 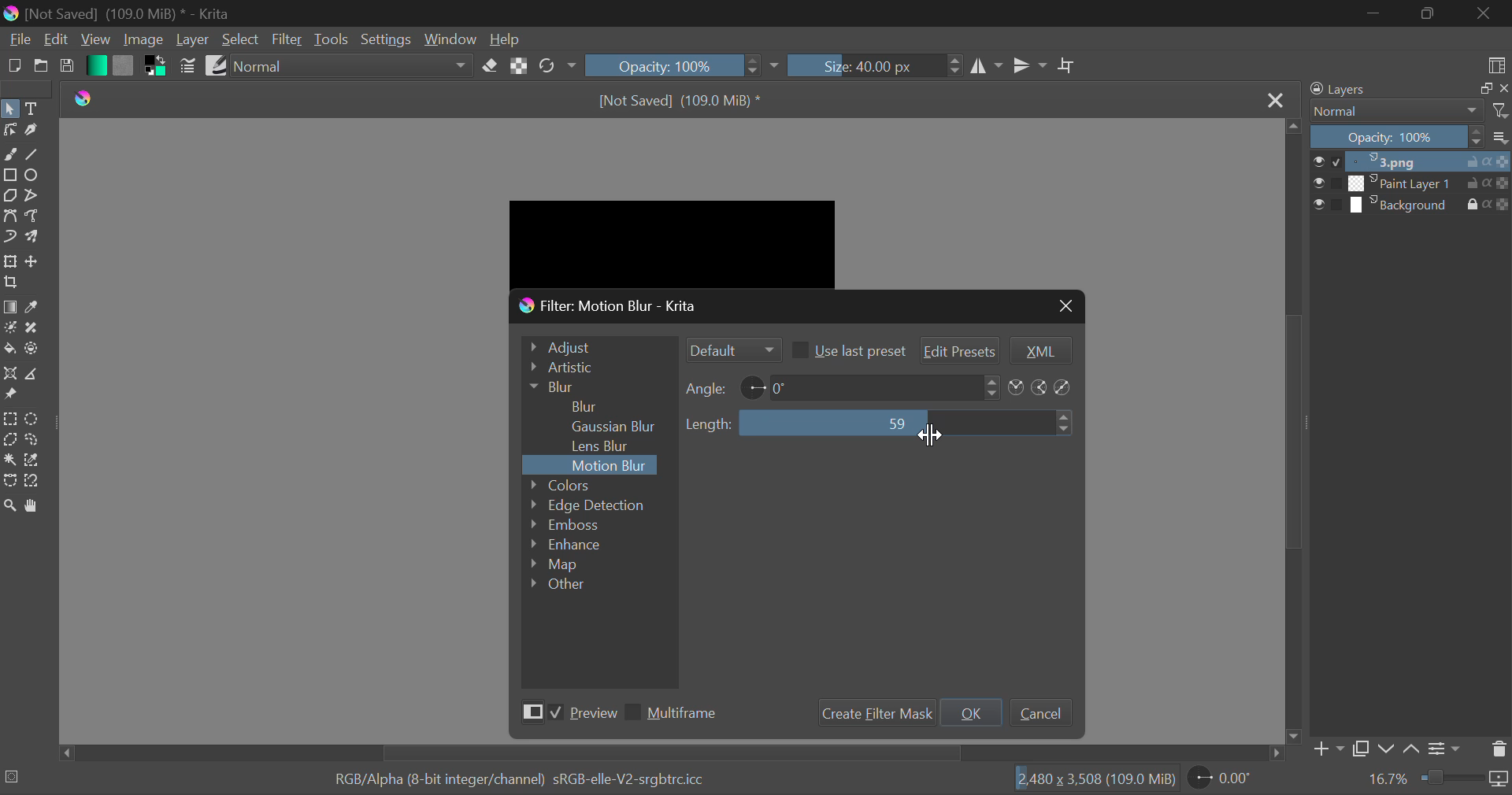 I want to click on Freehand Path Tool, so click(x=33, y=215).